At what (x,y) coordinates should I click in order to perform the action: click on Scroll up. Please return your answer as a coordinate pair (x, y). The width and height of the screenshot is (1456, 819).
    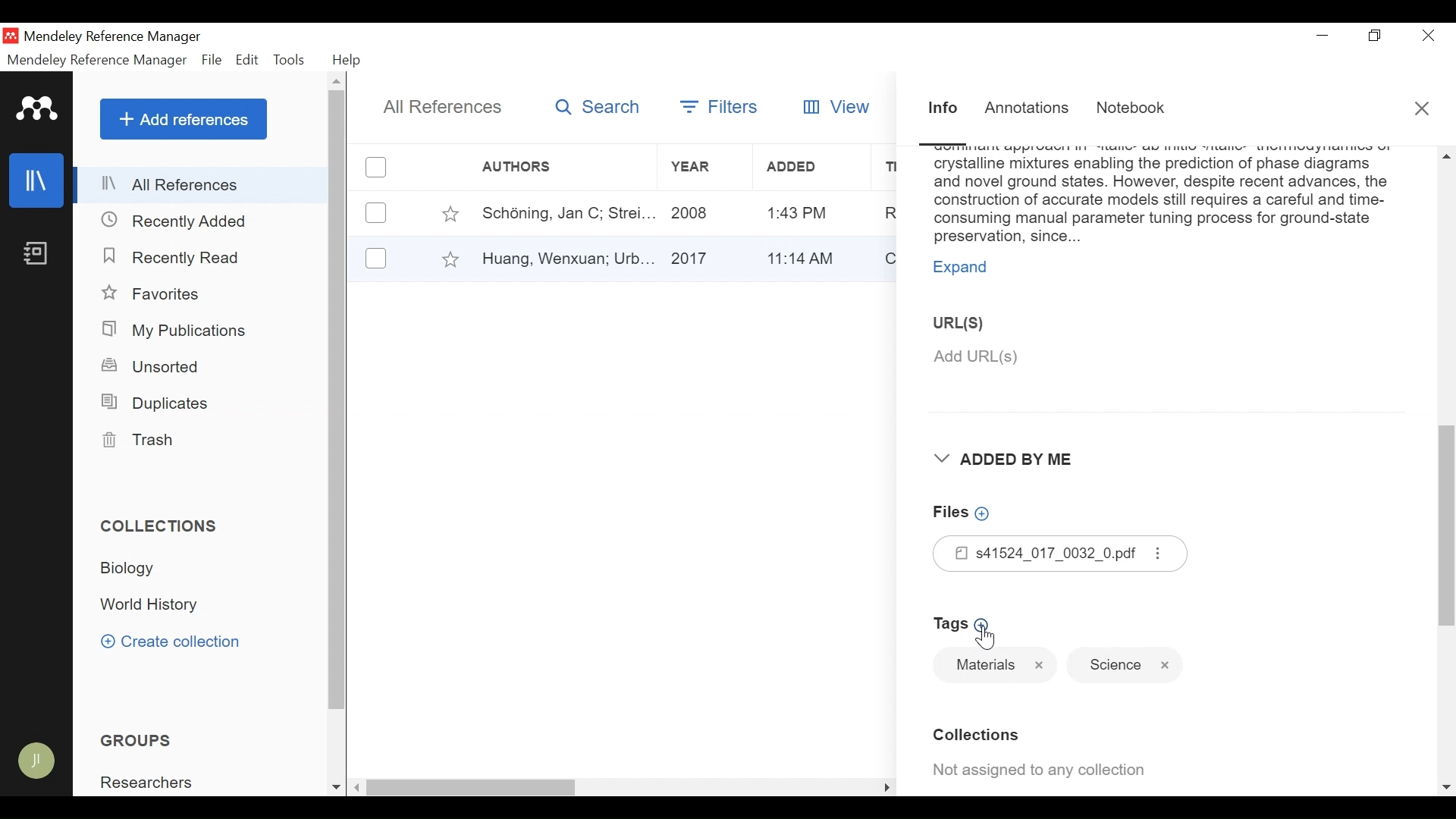
    Looking at the image, I should click on (337, 80).